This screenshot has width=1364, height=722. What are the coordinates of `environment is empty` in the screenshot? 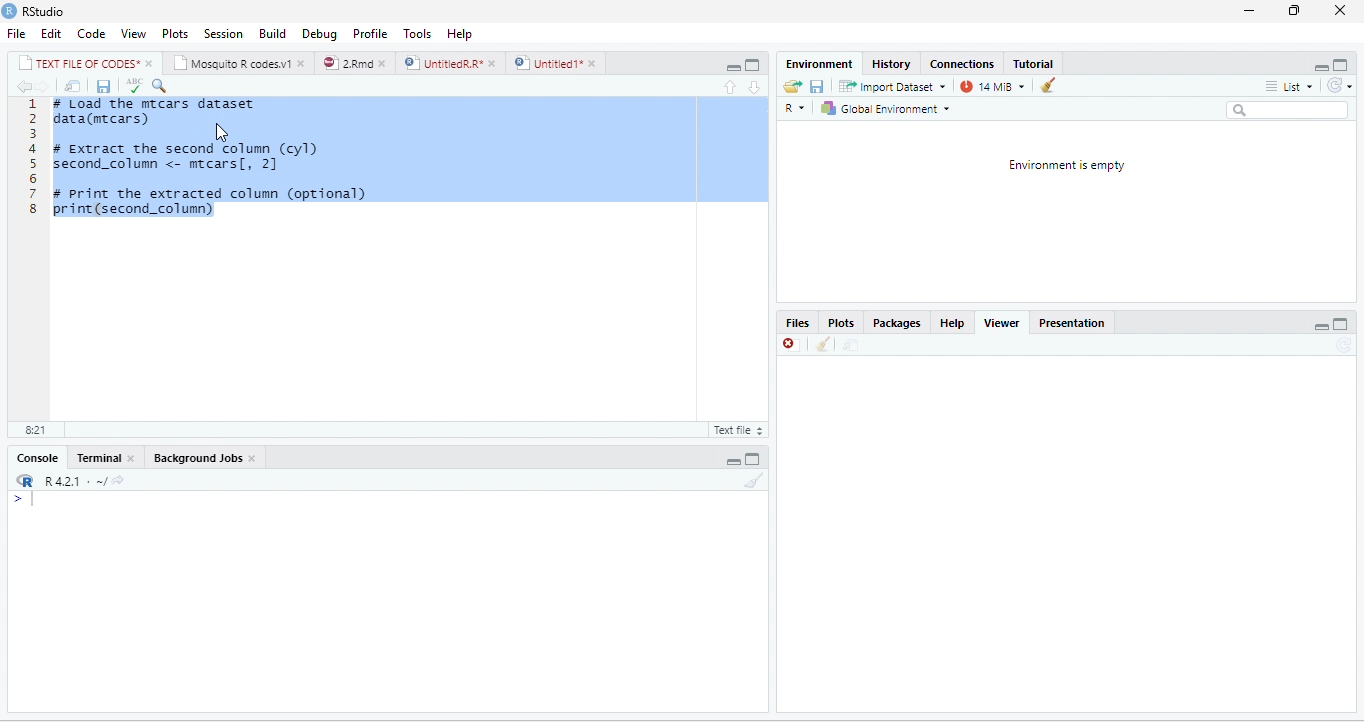 It's located at (1070, 210).